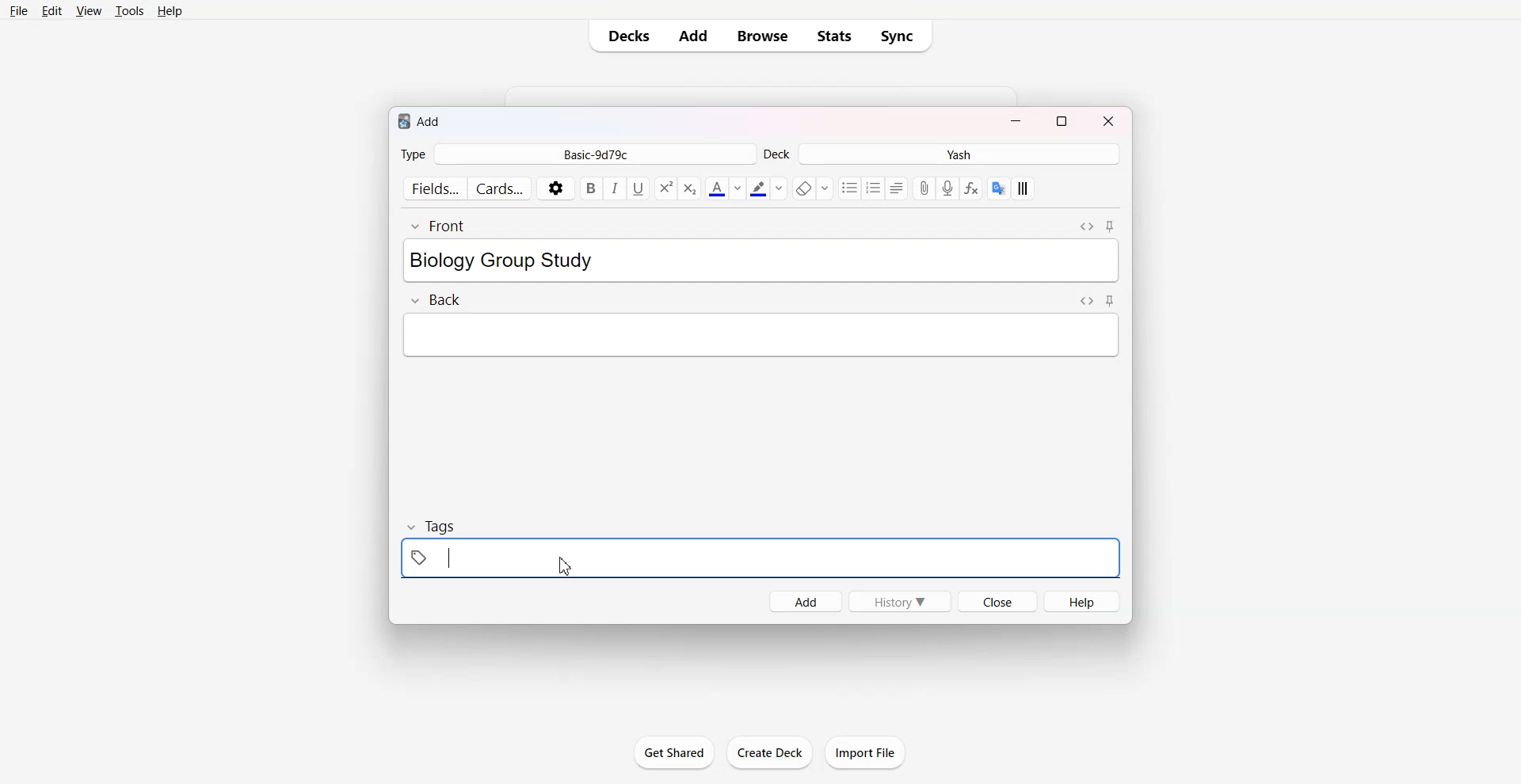 The height and width of the screenshot is (784, 1521). I want to click on Deck Yash, so click(943, 154).